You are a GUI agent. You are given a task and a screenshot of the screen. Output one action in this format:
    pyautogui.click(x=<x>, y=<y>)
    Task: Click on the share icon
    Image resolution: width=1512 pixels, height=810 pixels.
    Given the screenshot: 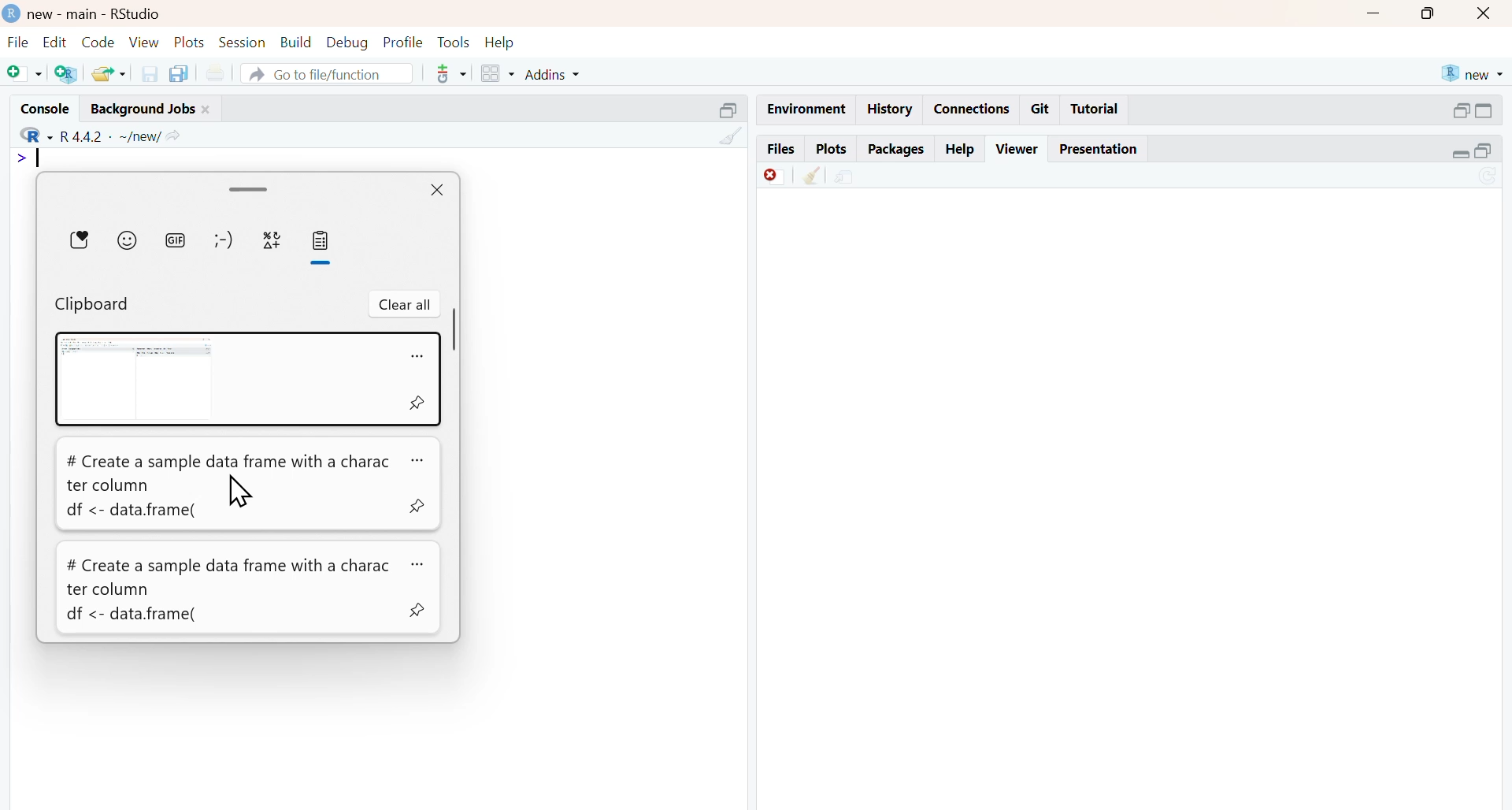 What is the action you would take?
    pyautogui.click(x=173, y=137)
    